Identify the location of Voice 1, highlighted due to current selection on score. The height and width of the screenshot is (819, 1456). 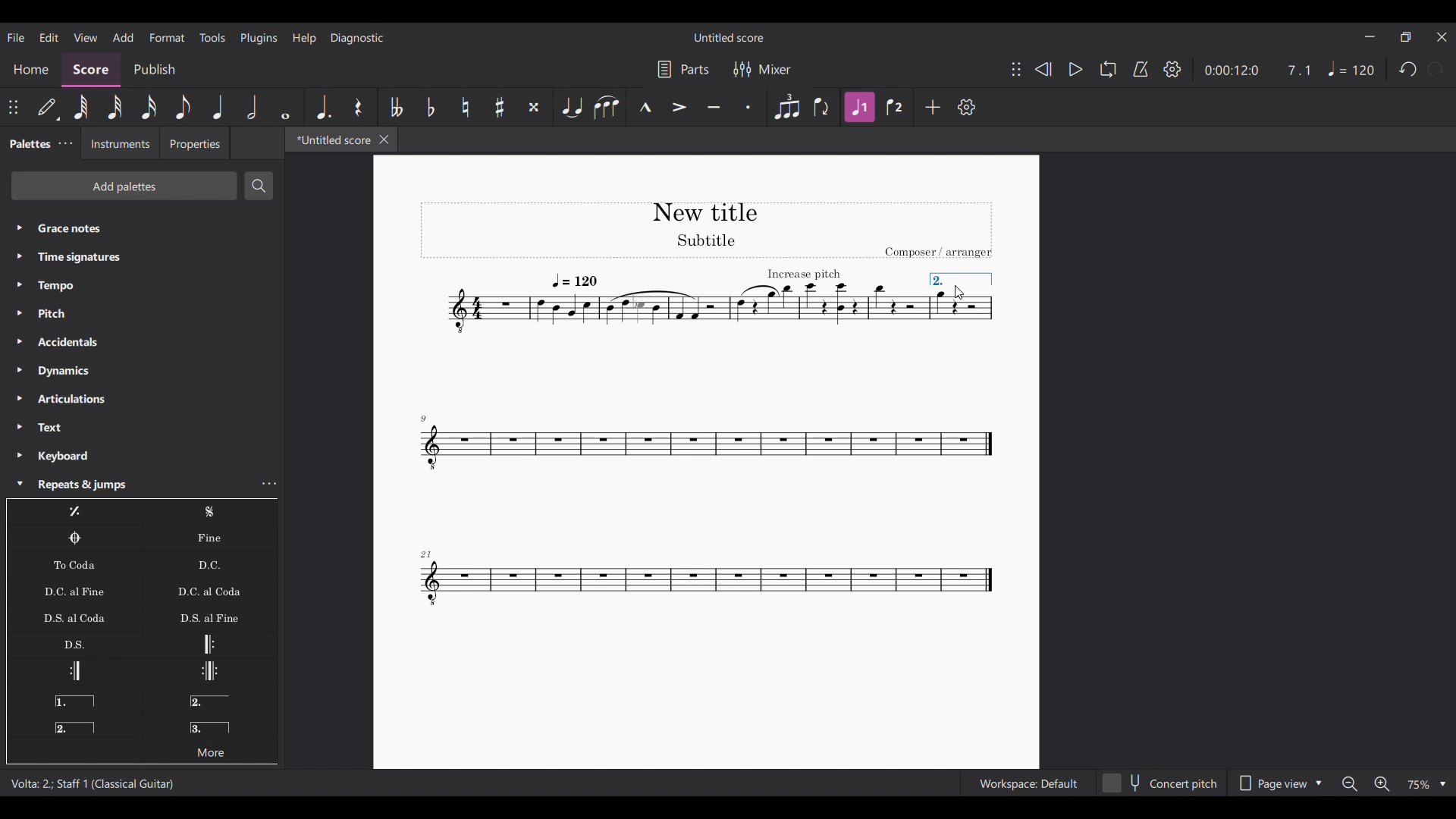
(860, 107).